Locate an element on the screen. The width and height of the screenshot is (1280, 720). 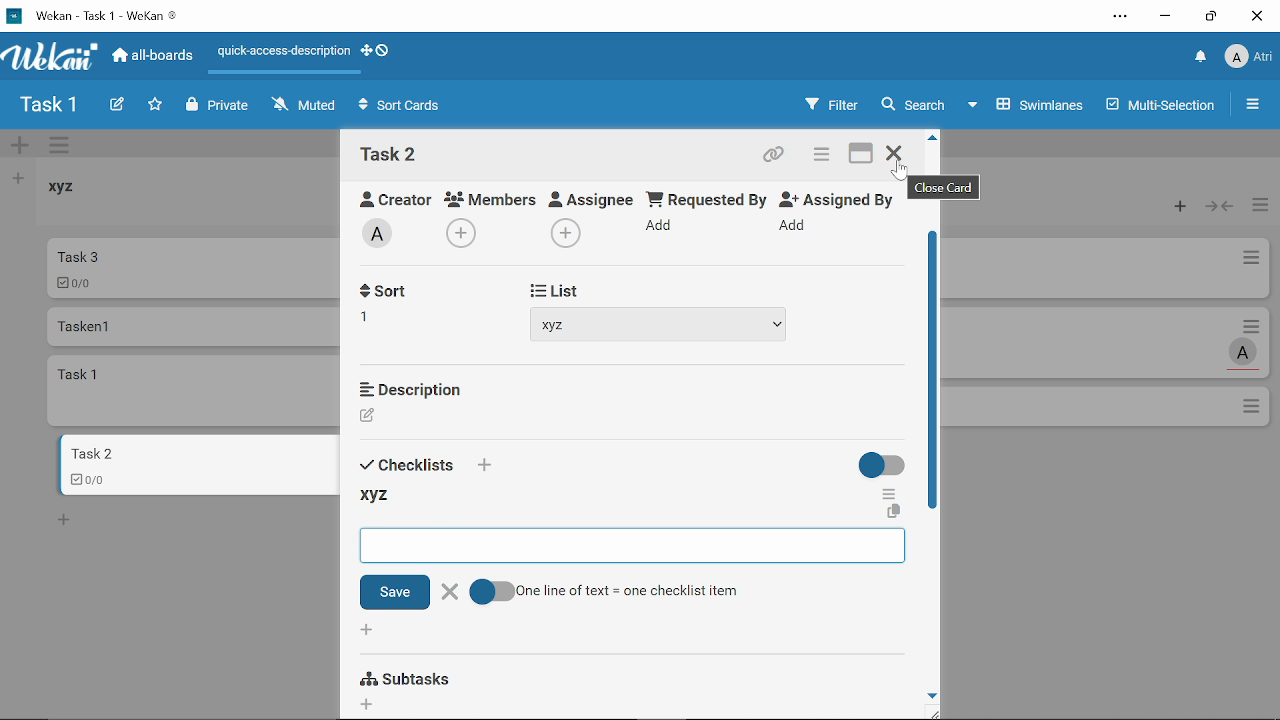
Profile is located at coordinates (1248, 59).